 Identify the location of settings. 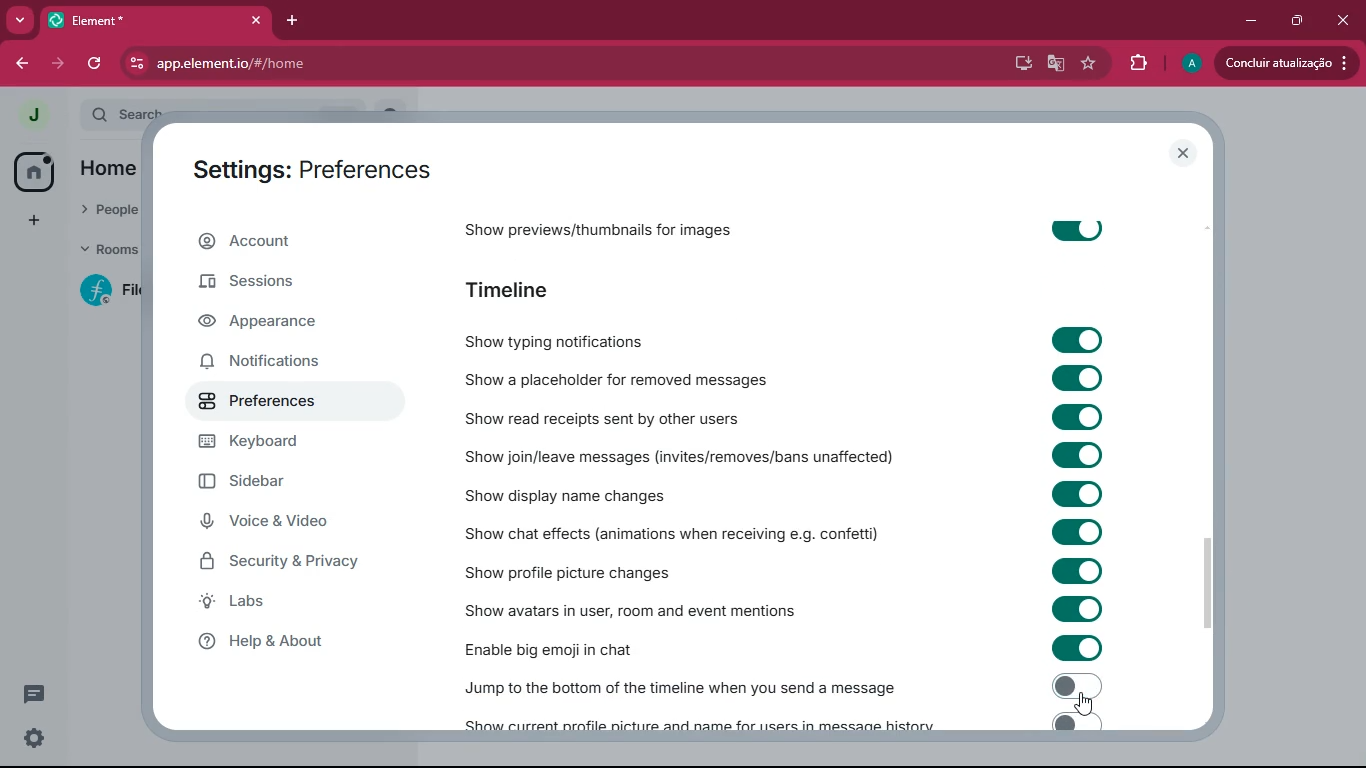
(37, 739).